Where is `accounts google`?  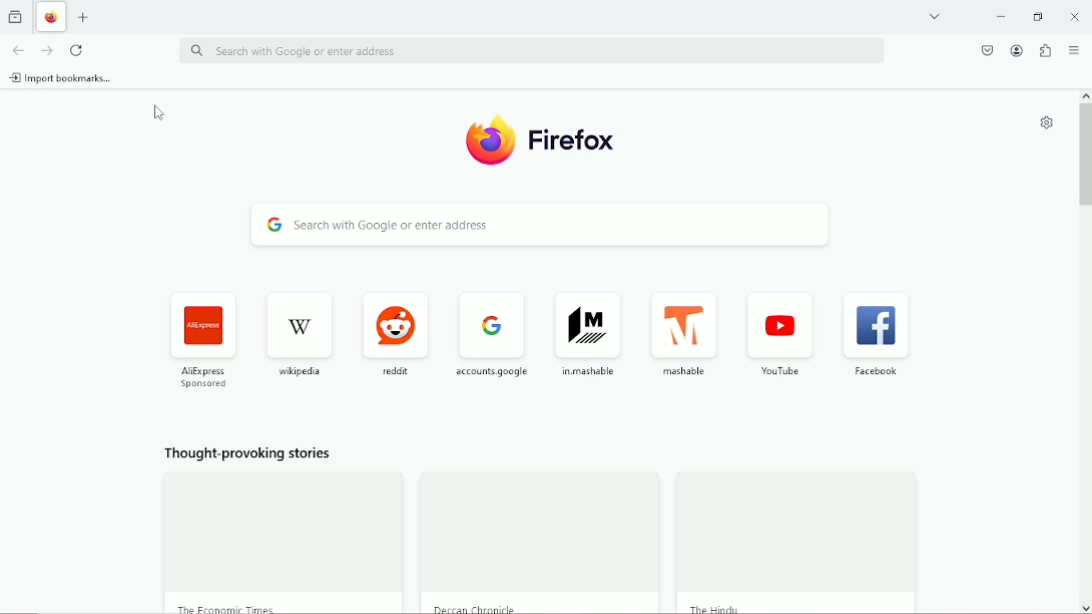 accounts google is located at coordinates (494, 332).